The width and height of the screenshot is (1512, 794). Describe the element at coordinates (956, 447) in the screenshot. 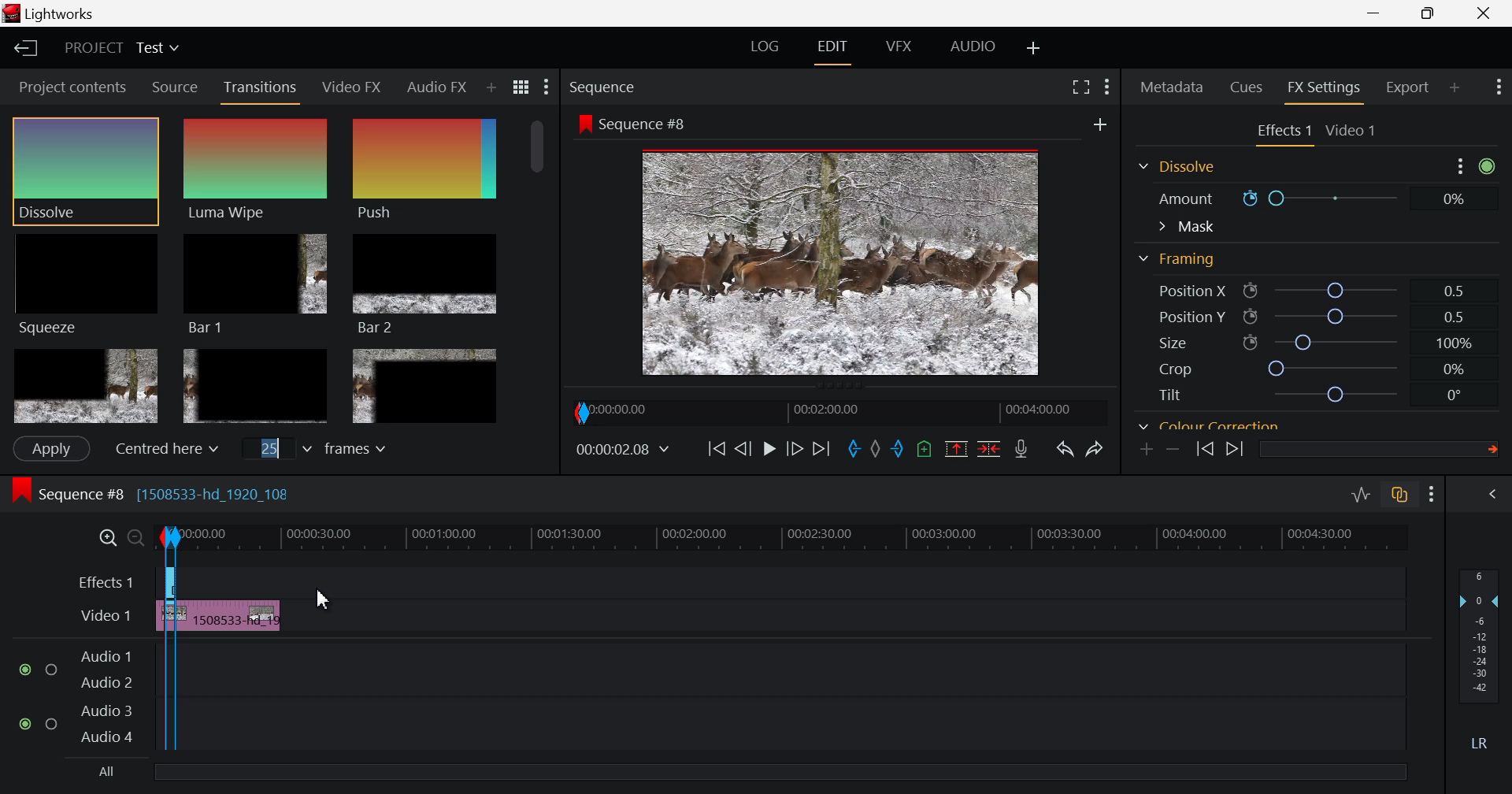

I see `Remove the marked section` at that location.